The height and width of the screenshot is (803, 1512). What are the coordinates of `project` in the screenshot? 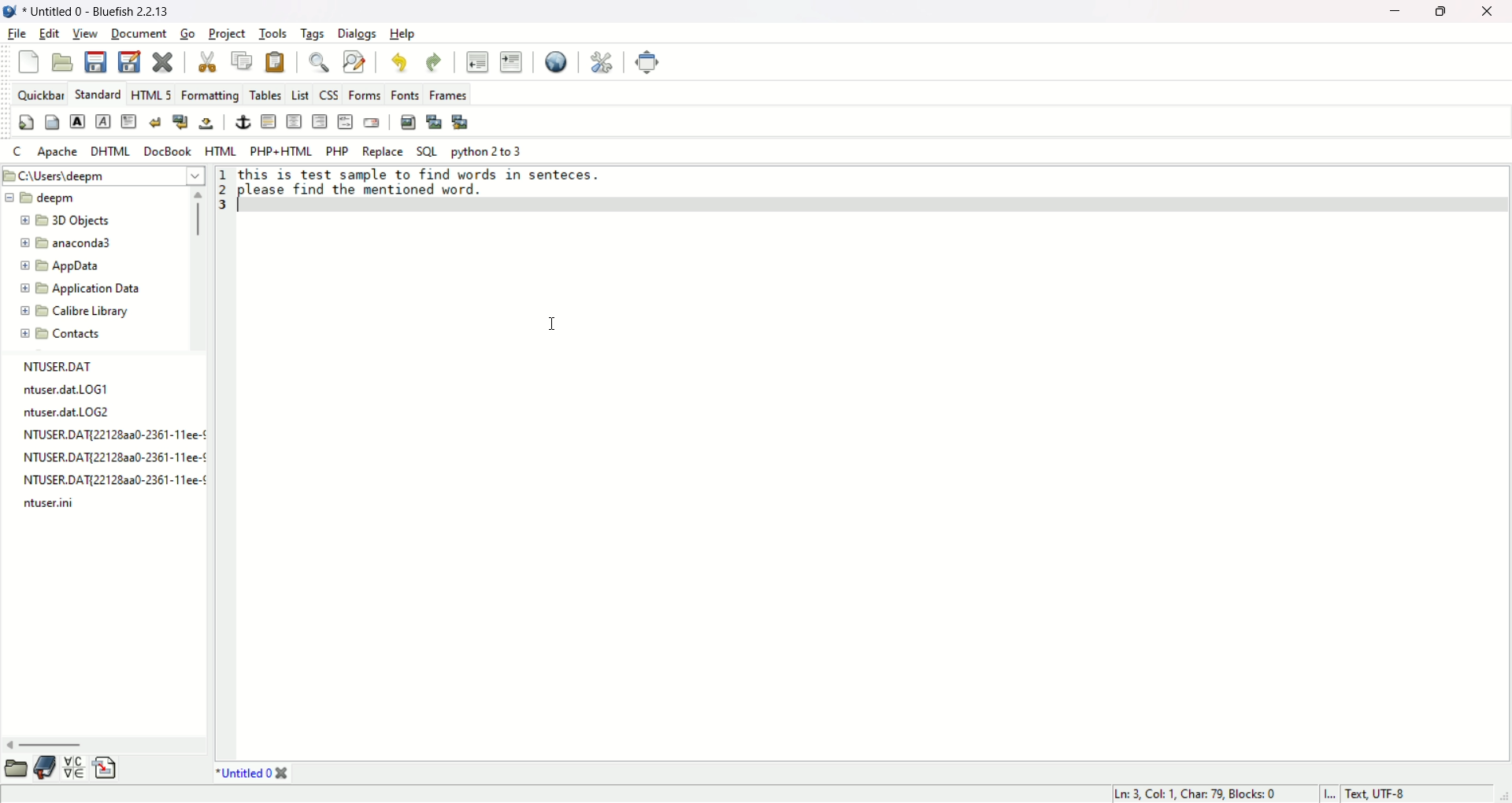 It's located at (226, 34).